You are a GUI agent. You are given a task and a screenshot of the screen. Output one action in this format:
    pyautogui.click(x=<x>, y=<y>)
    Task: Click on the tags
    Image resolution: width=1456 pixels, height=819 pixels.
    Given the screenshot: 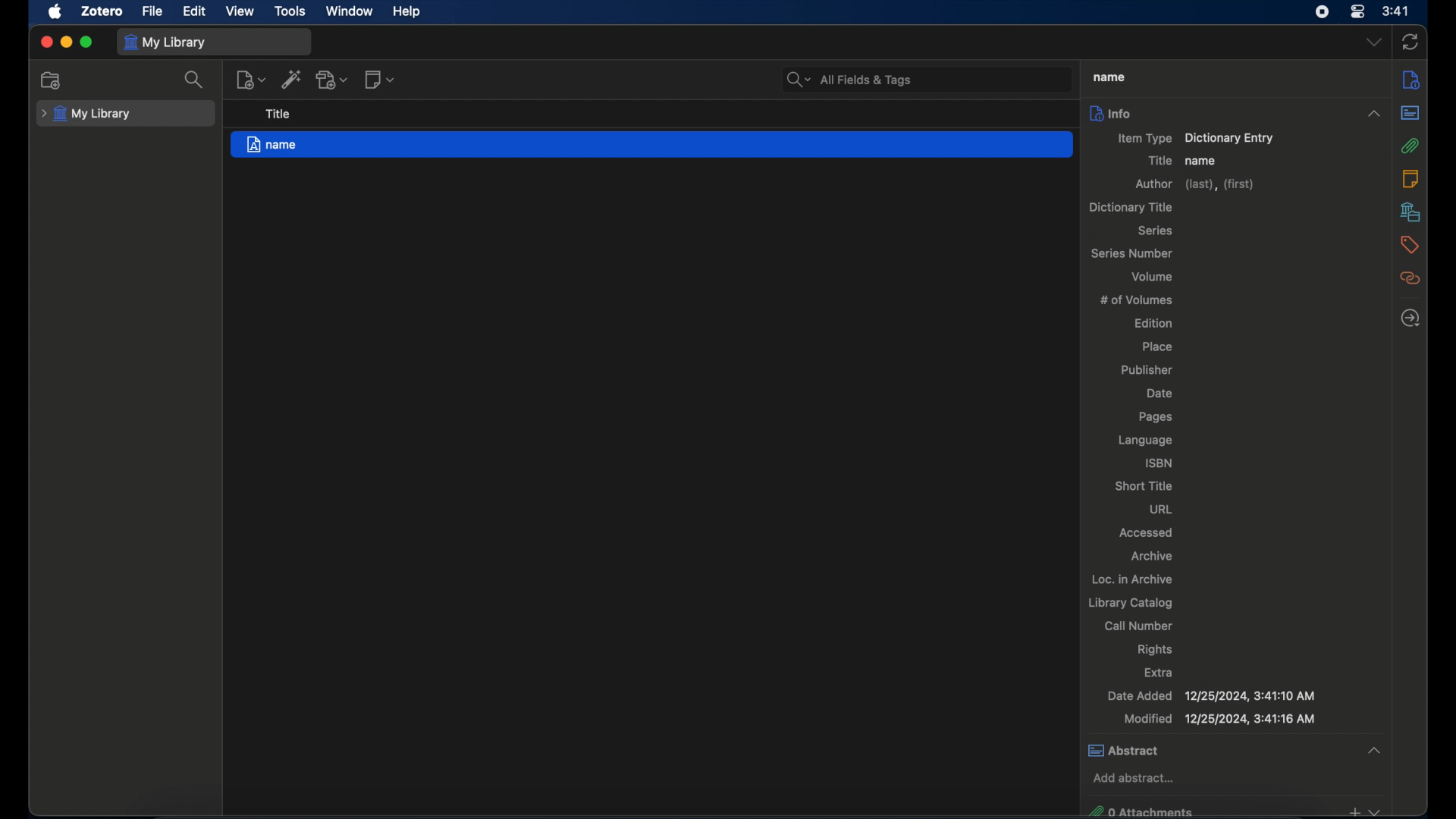 What is the action you would take?
    pyautogui.click(x=1410, y=245)
    